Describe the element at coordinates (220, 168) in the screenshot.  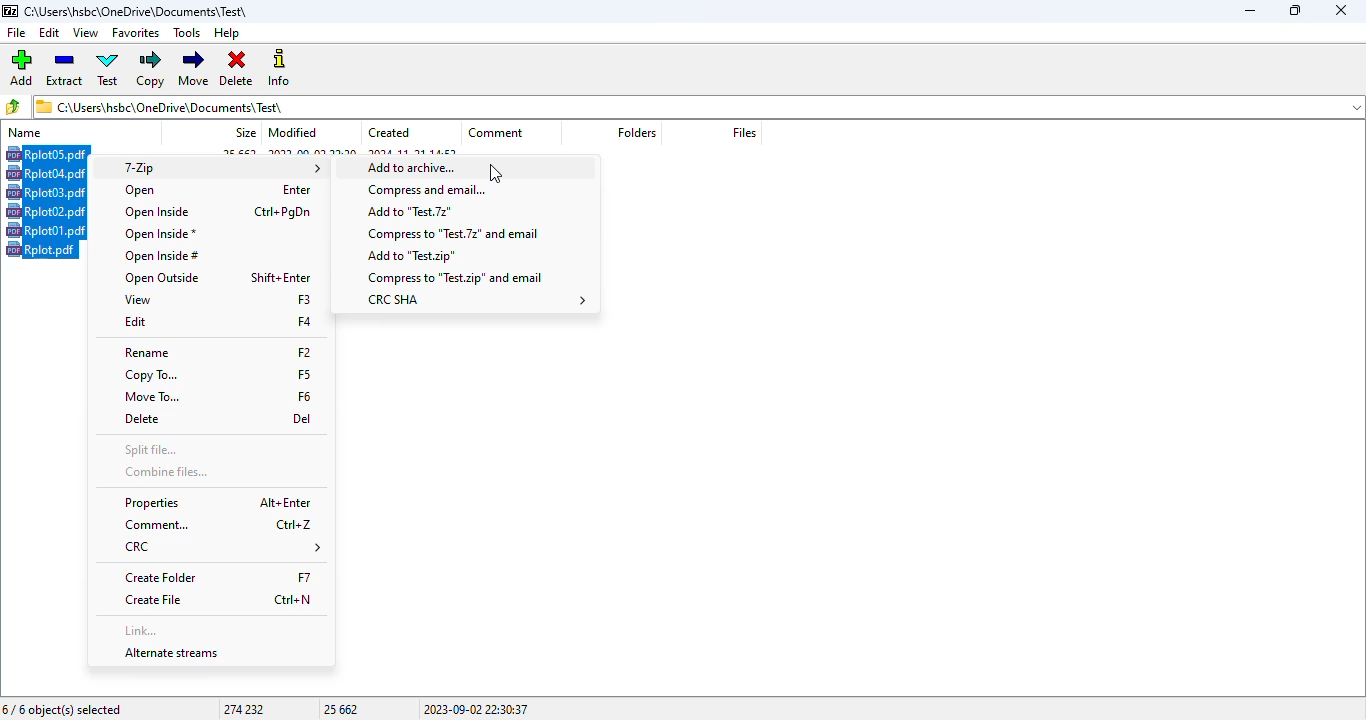
I see `7-Zip ` at that location.